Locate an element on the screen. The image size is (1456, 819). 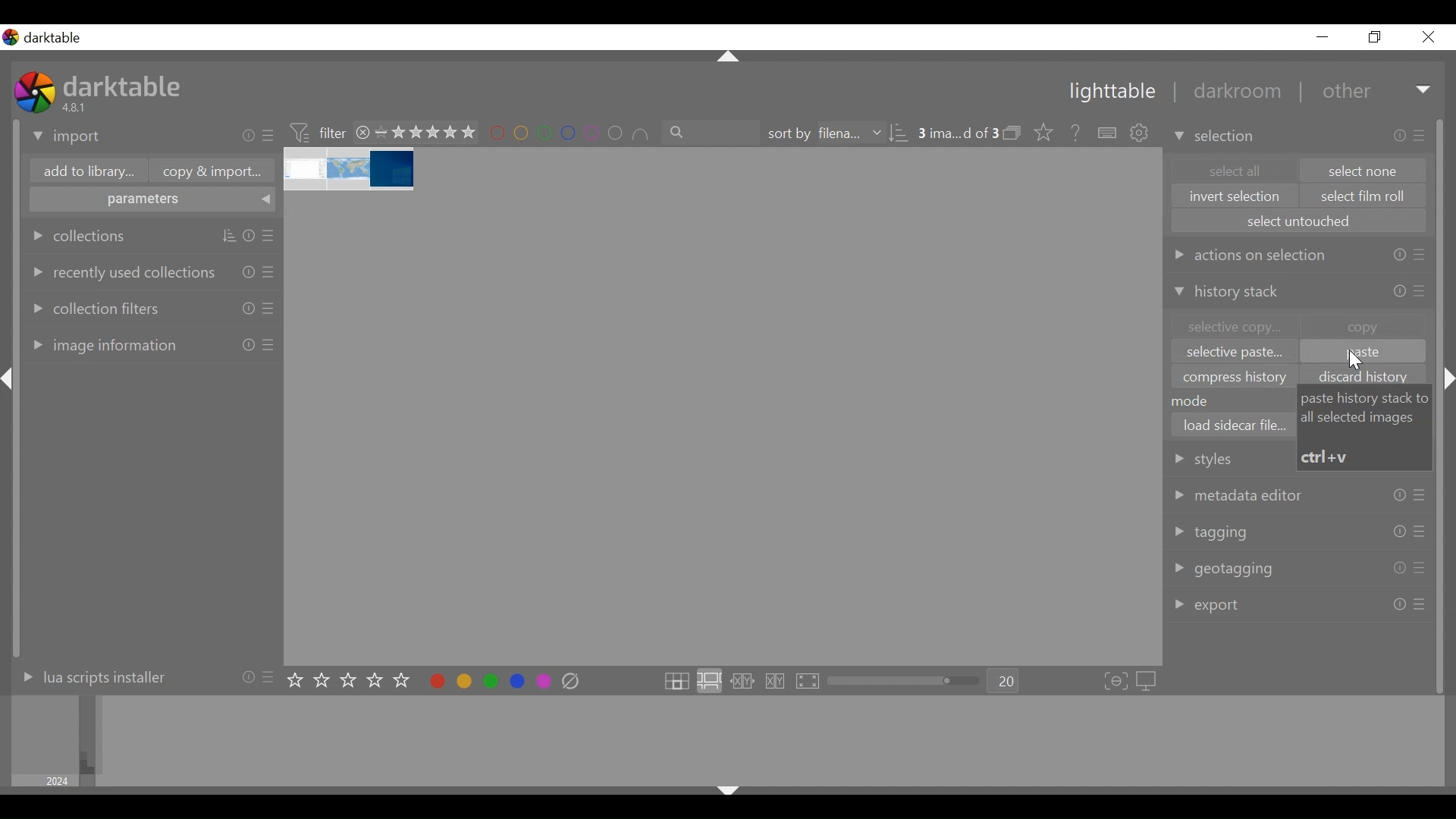
discard history is located at coordinates (1368, 377).